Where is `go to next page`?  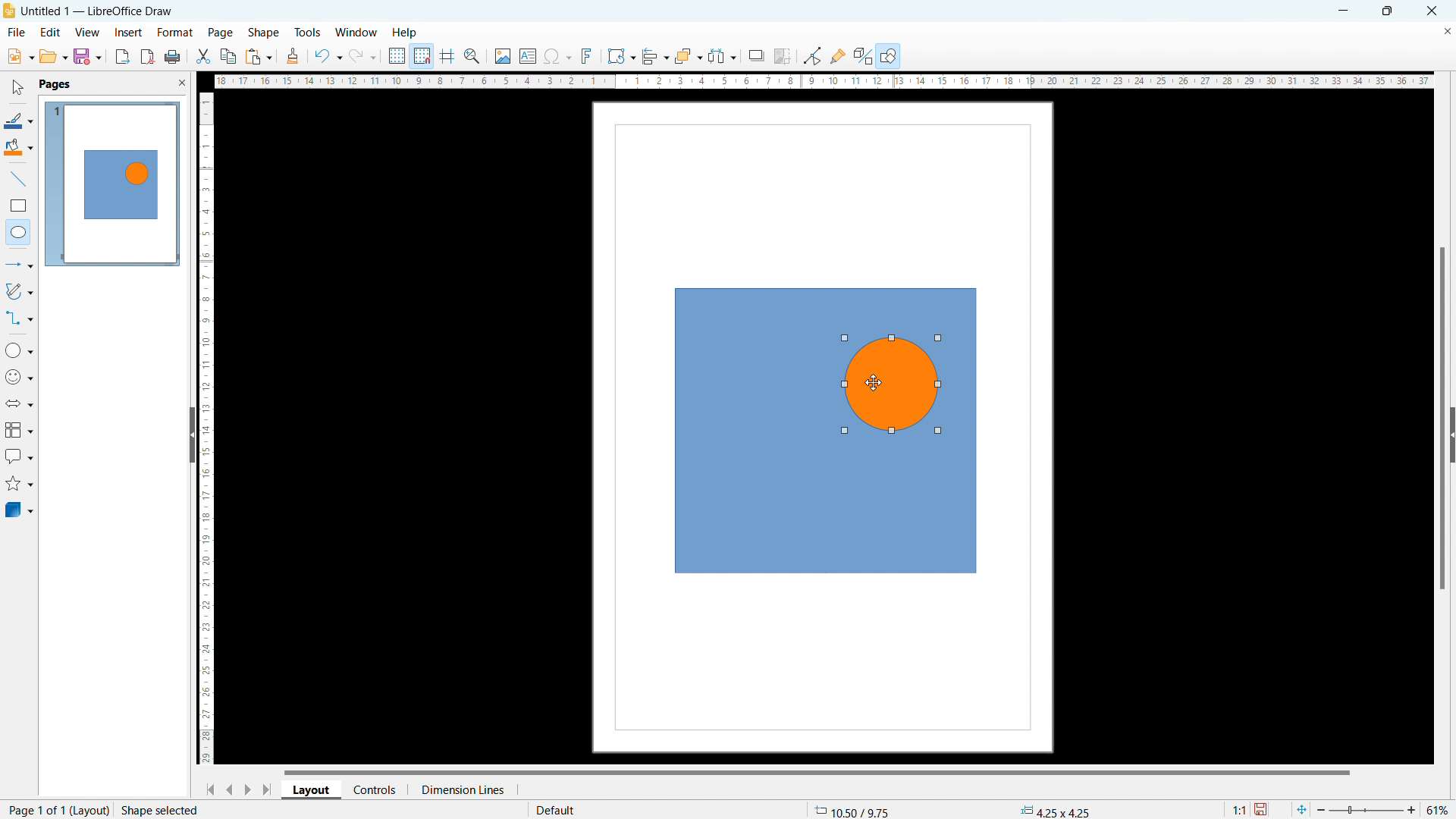
go to next page is located at coordinates (247, 789).